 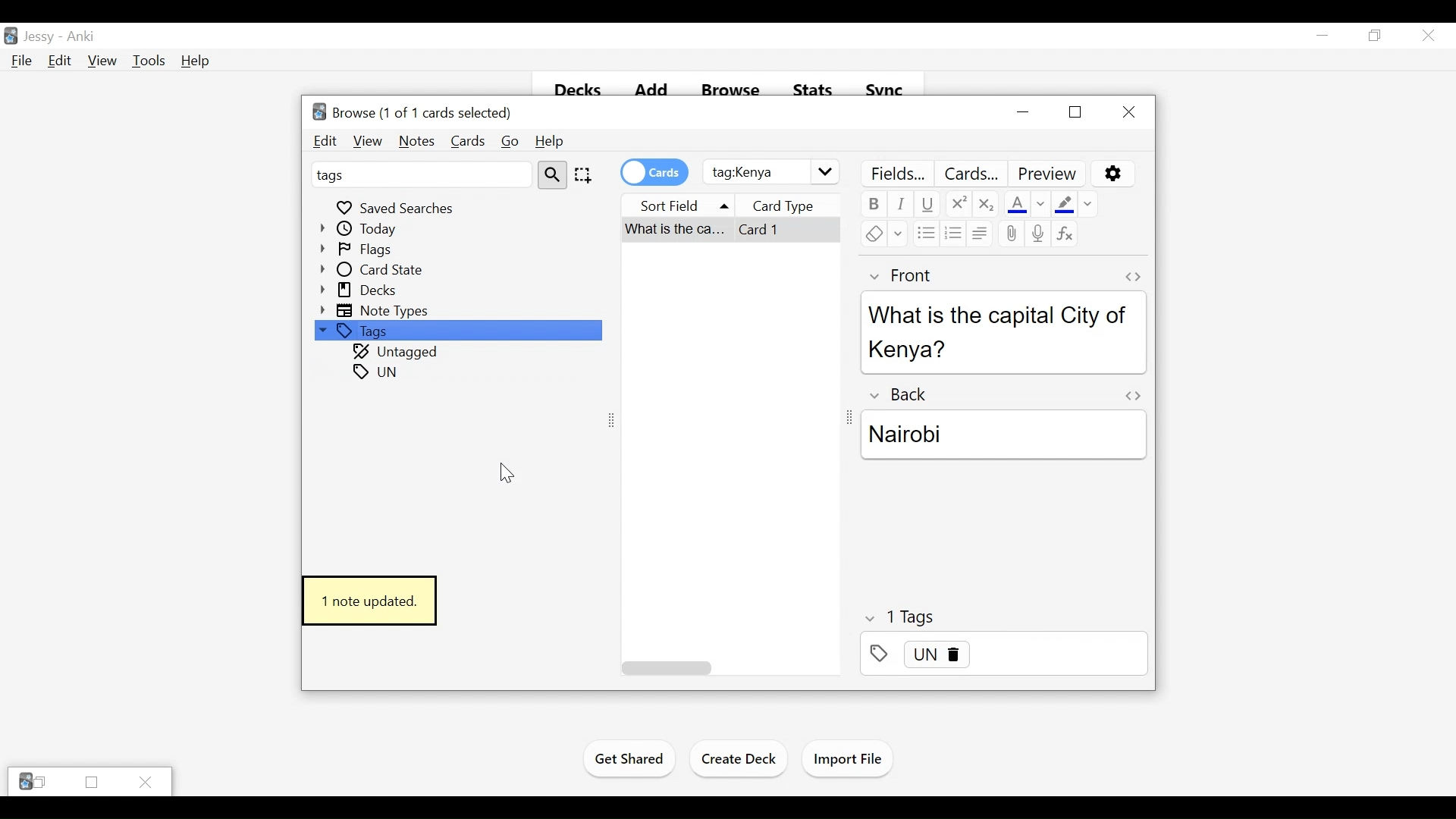 I want to click on credits, so click(x=654, y=171).